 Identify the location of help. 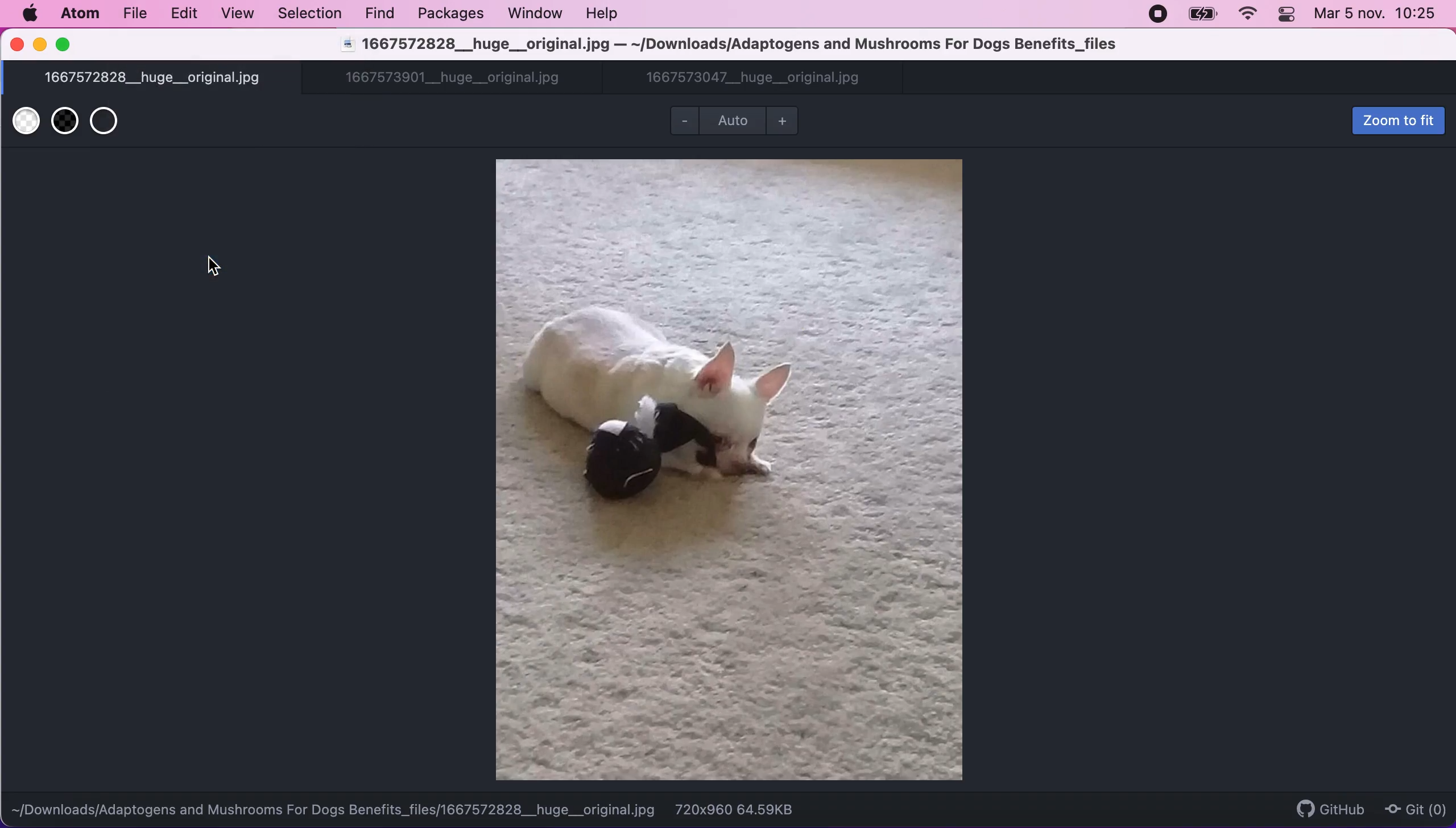
(604, 14).